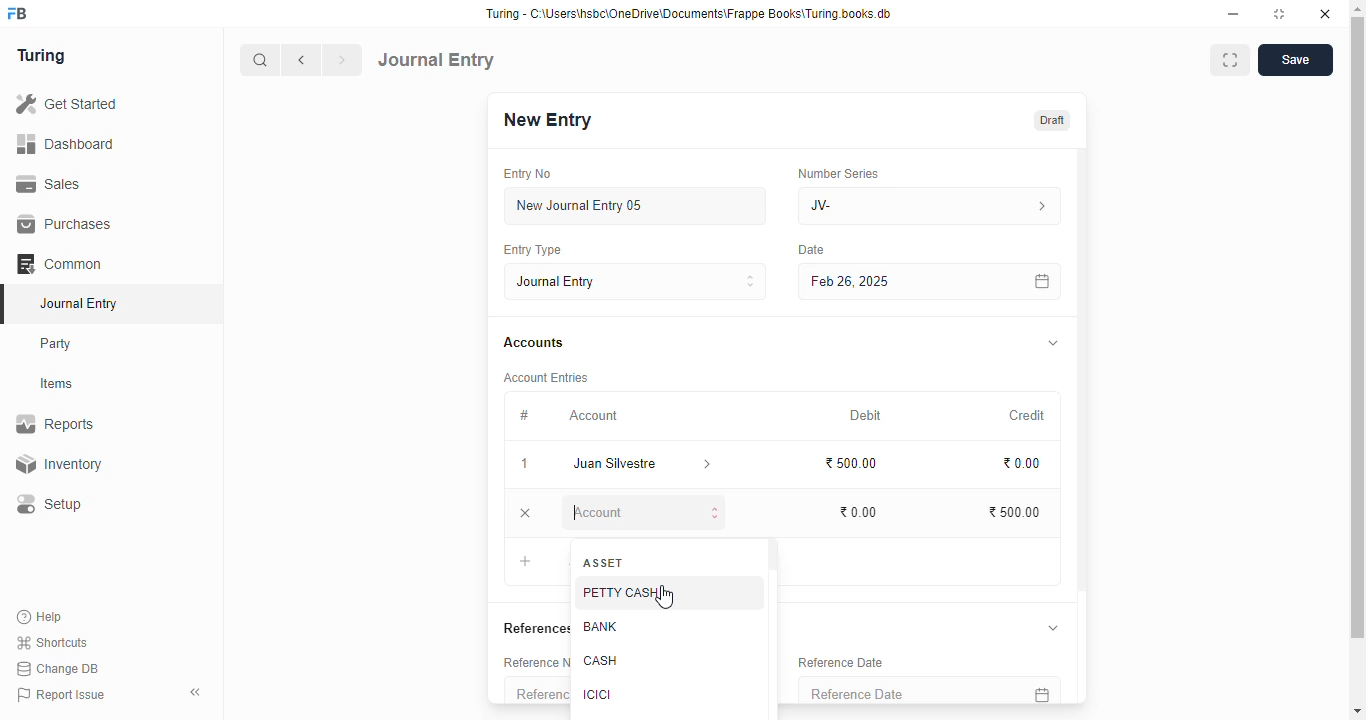 This screenshot has height=720, width=1366. I want to click on references, so click(536, 628).